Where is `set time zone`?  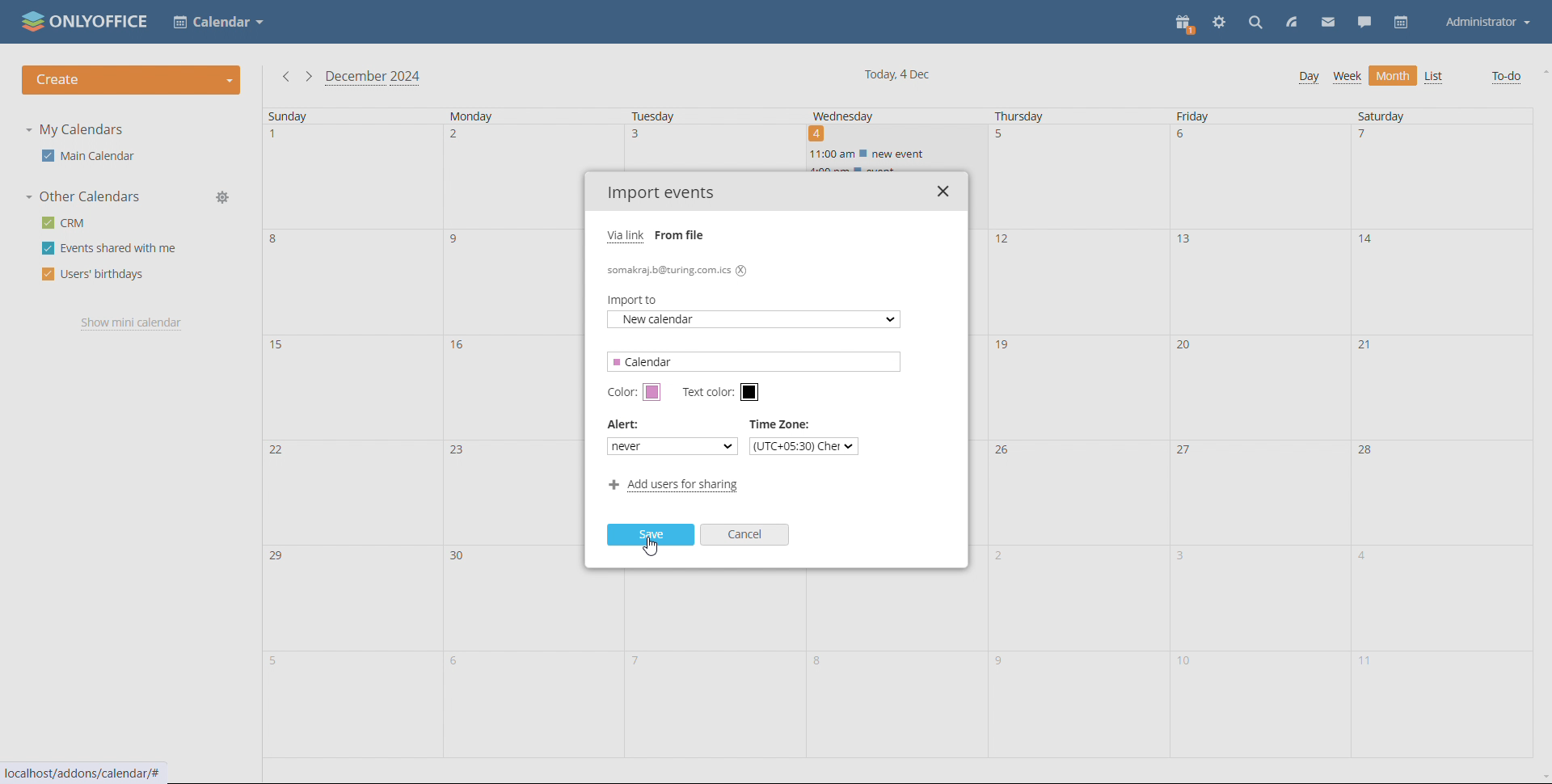
set time zone is located at coordinates (804, 444).